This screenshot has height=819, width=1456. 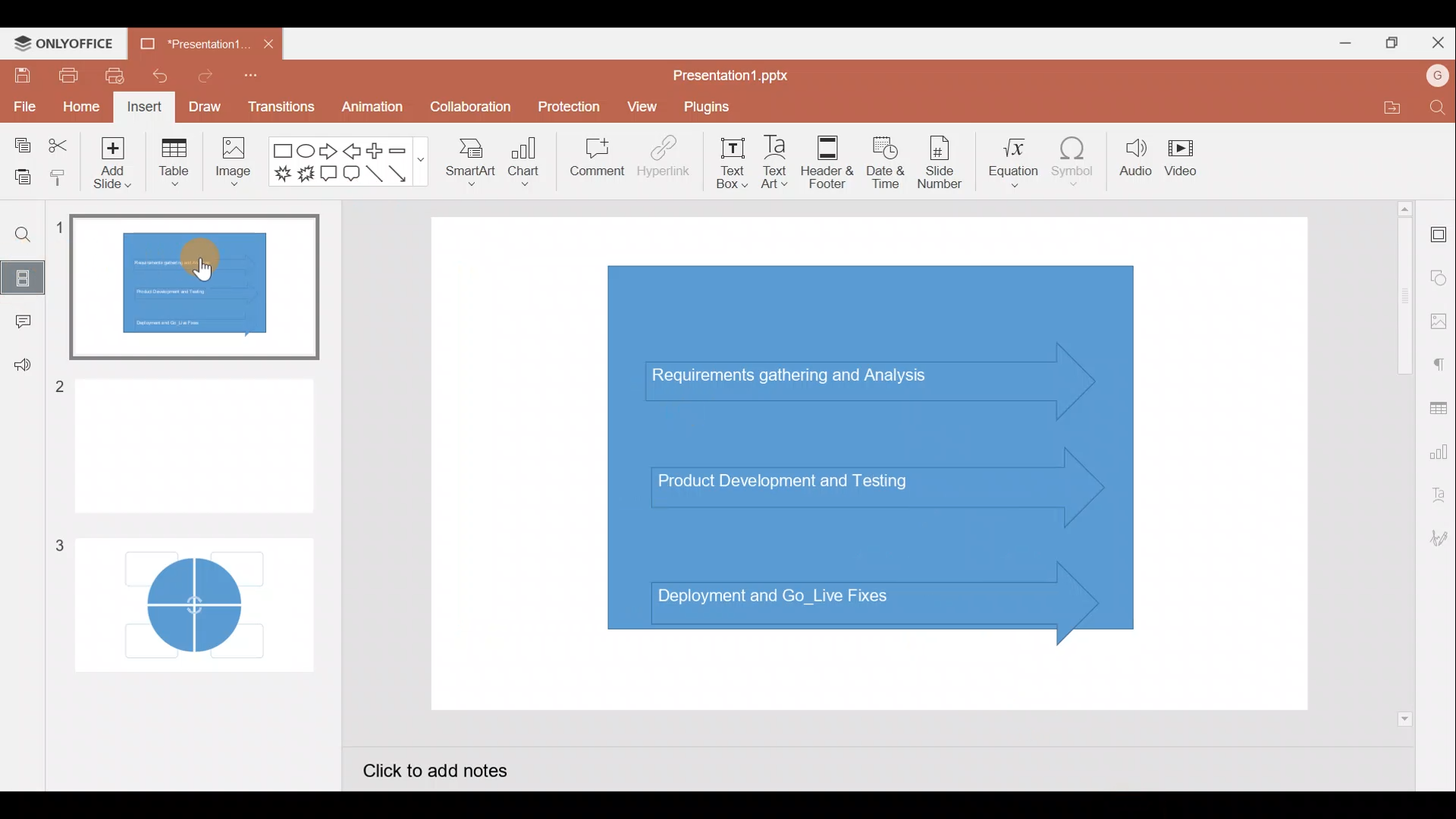 What do you see at coordinates (23, 106) in the screenshot?
I see `File` at bounding box center [23, 106].